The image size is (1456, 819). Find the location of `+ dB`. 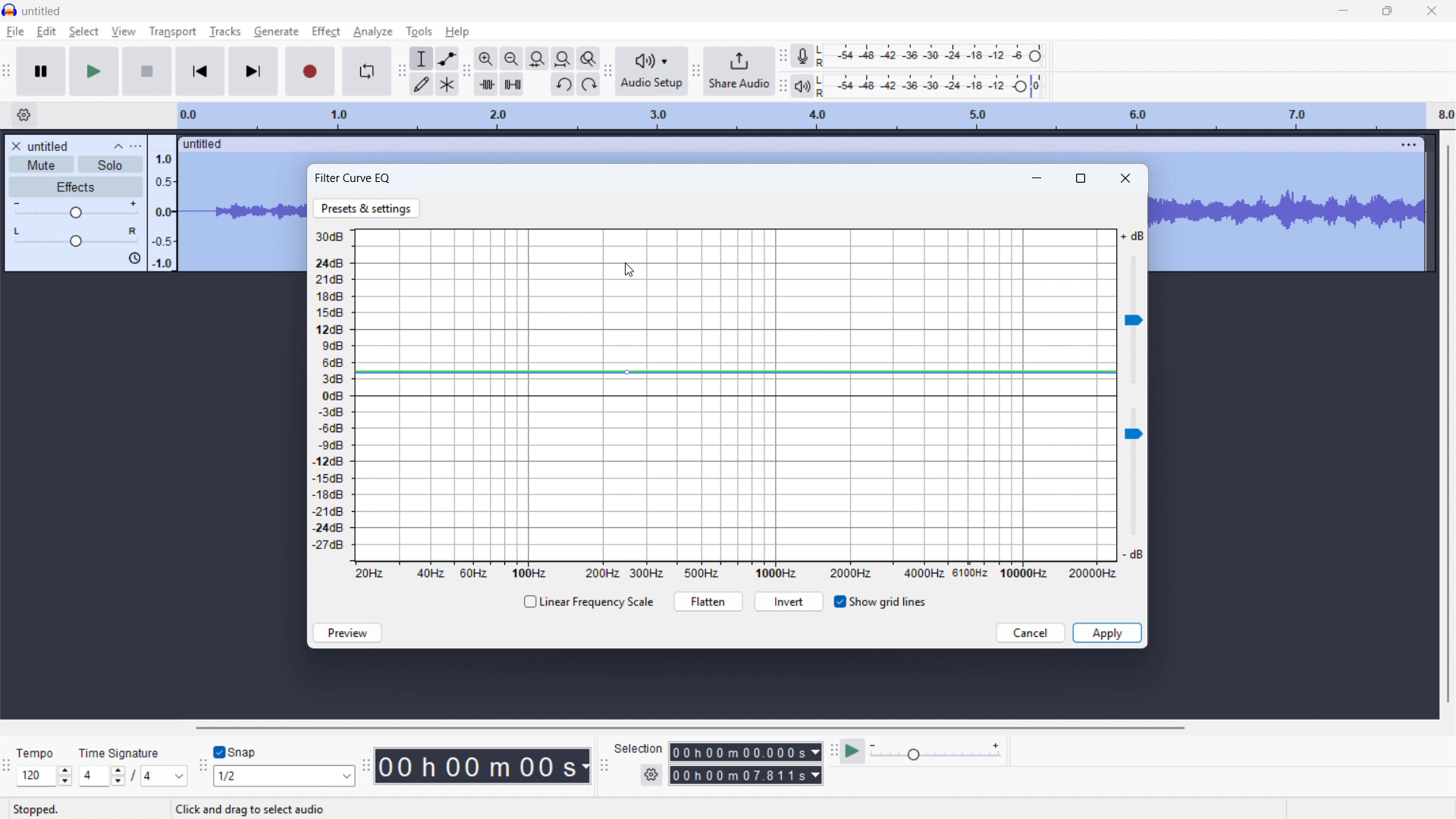

+ dB is located at coordinates (1133, 237).